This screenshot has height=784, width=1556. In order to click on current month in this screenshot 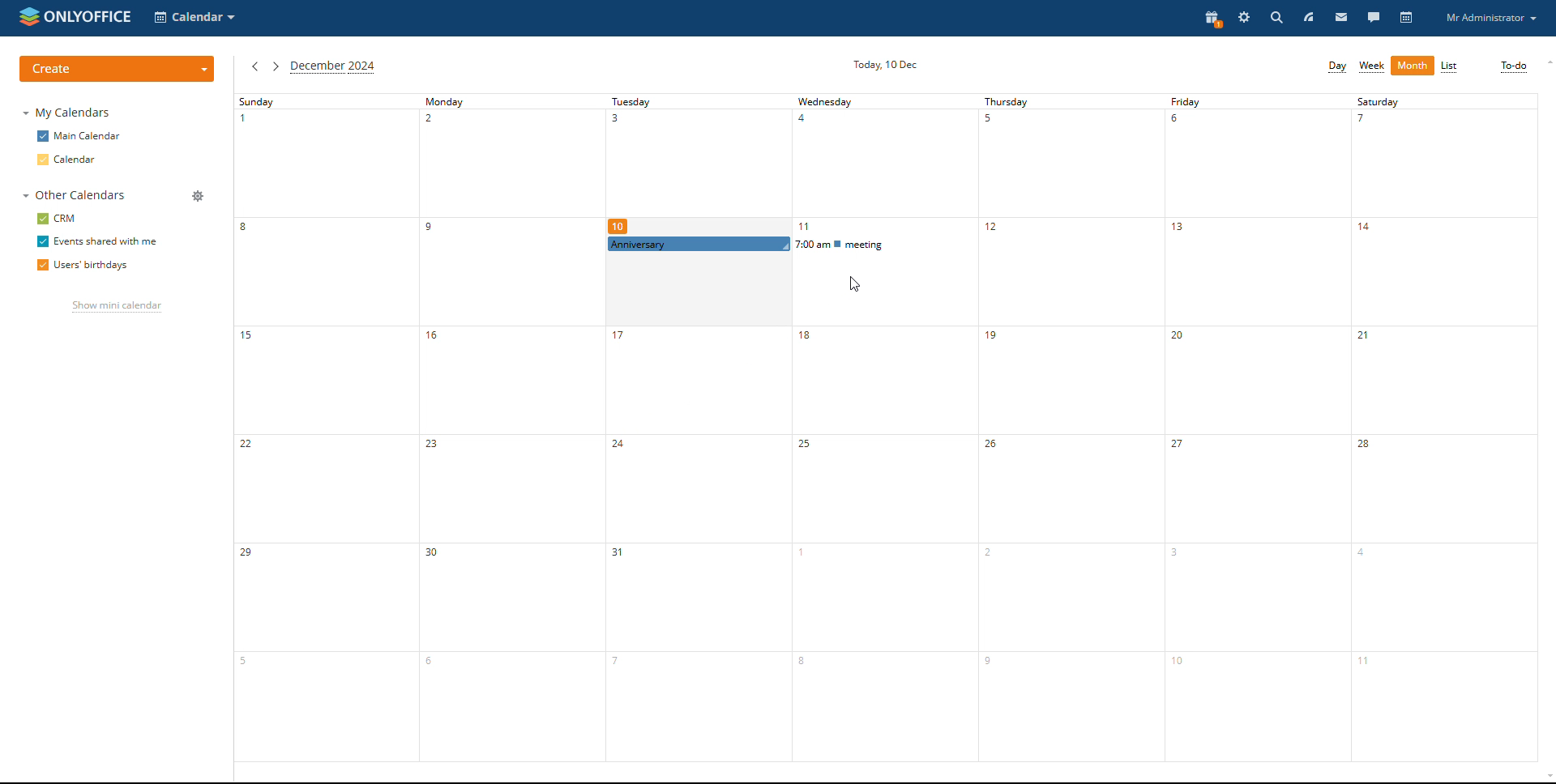, I will do `click(333, 67)`.